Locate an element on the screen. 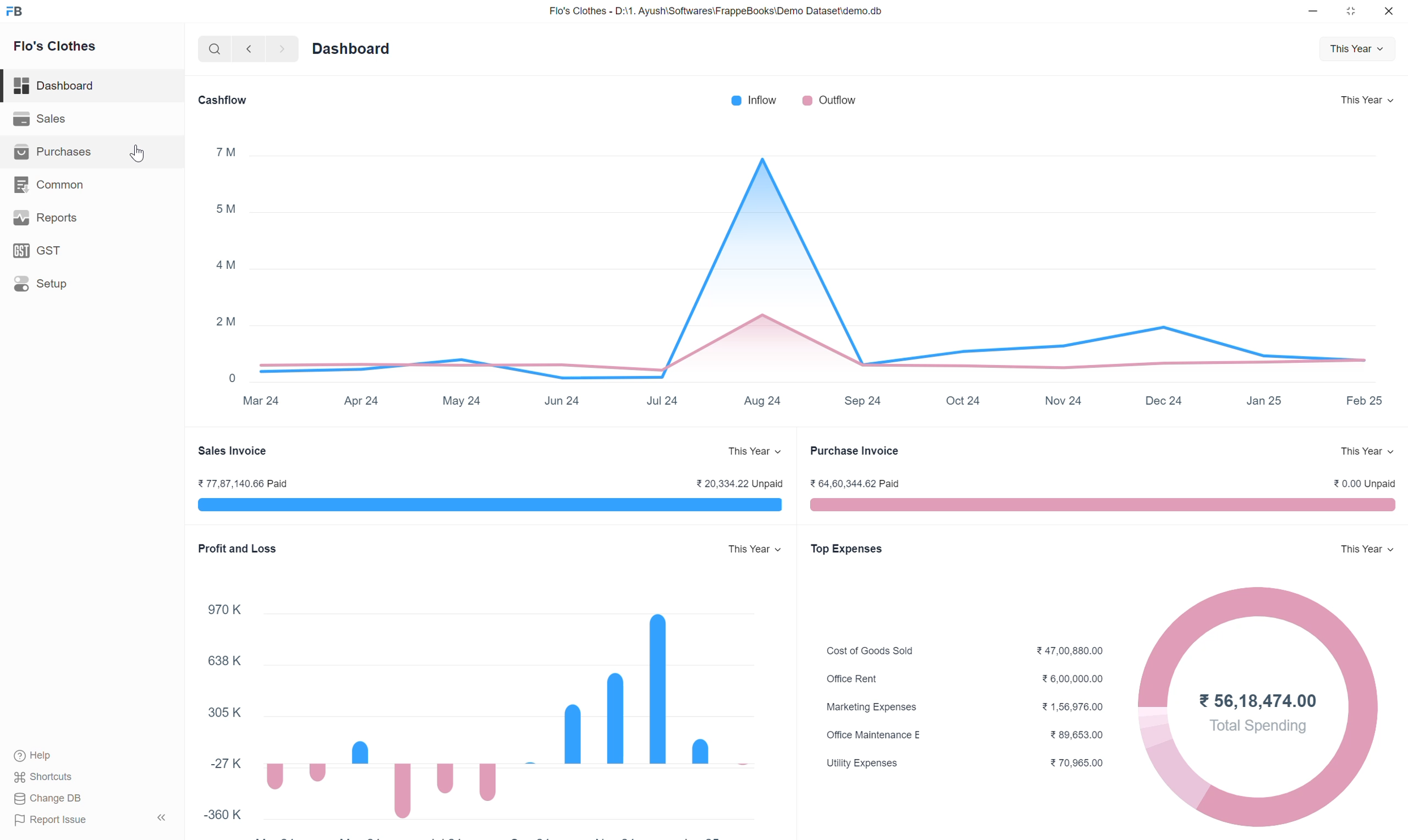 The image size is (1408, 840). resize is located at coordinates (1349, 11).